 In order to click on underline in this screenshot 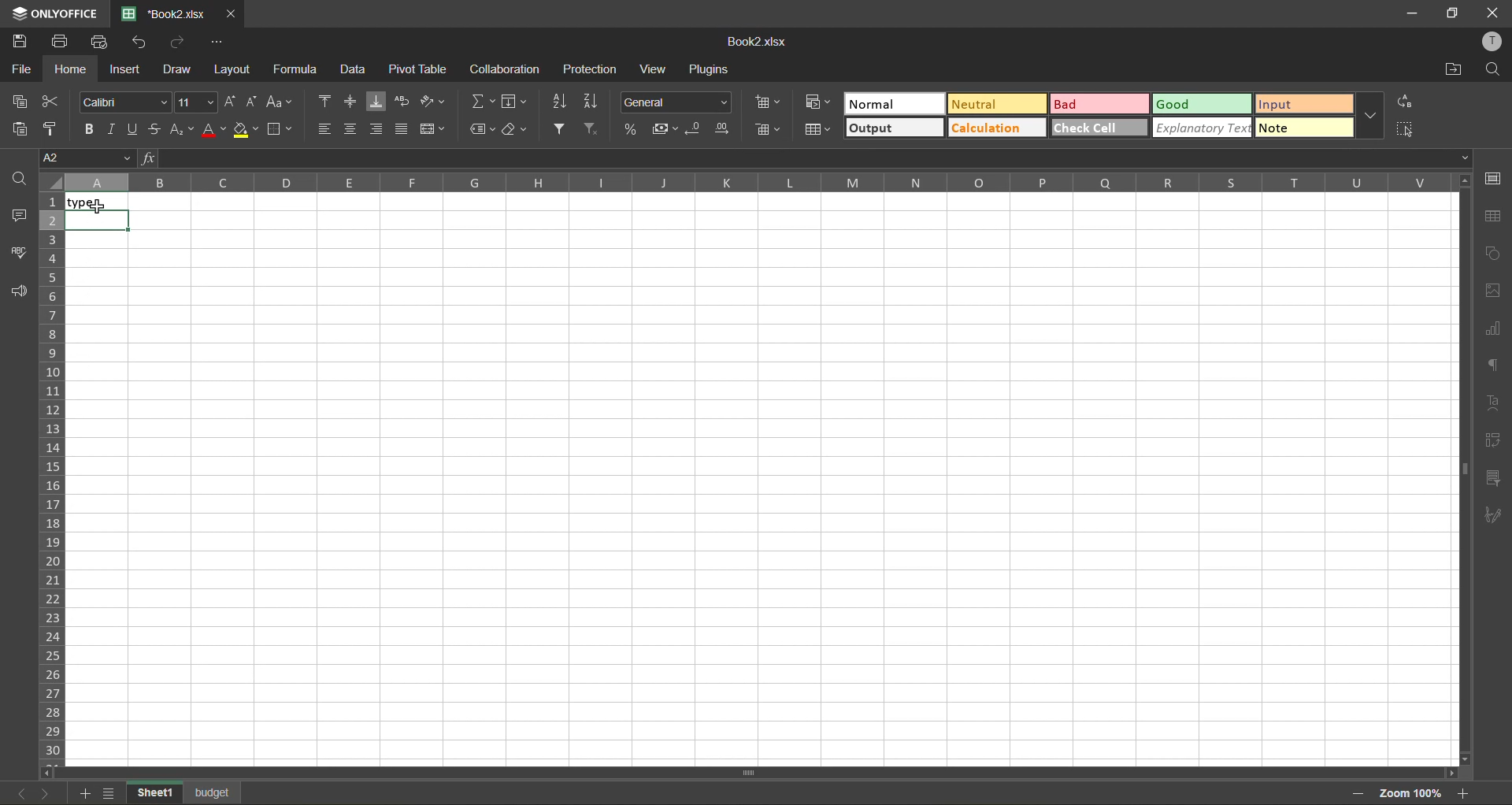, I will do `click(135, 127)`.